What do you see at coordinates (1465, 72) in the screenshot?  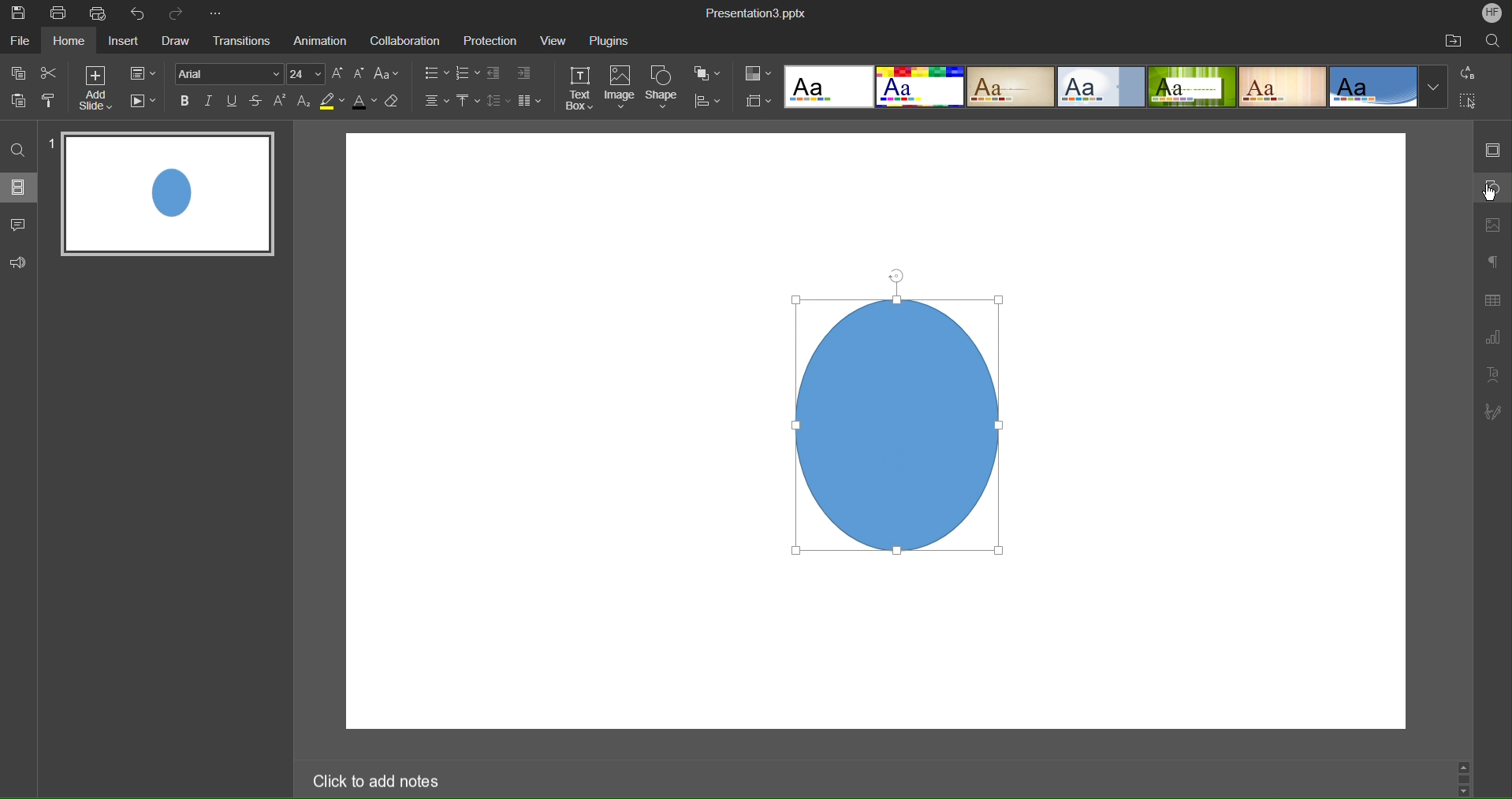 I see `Replace` at bounding box center [1465, 72].